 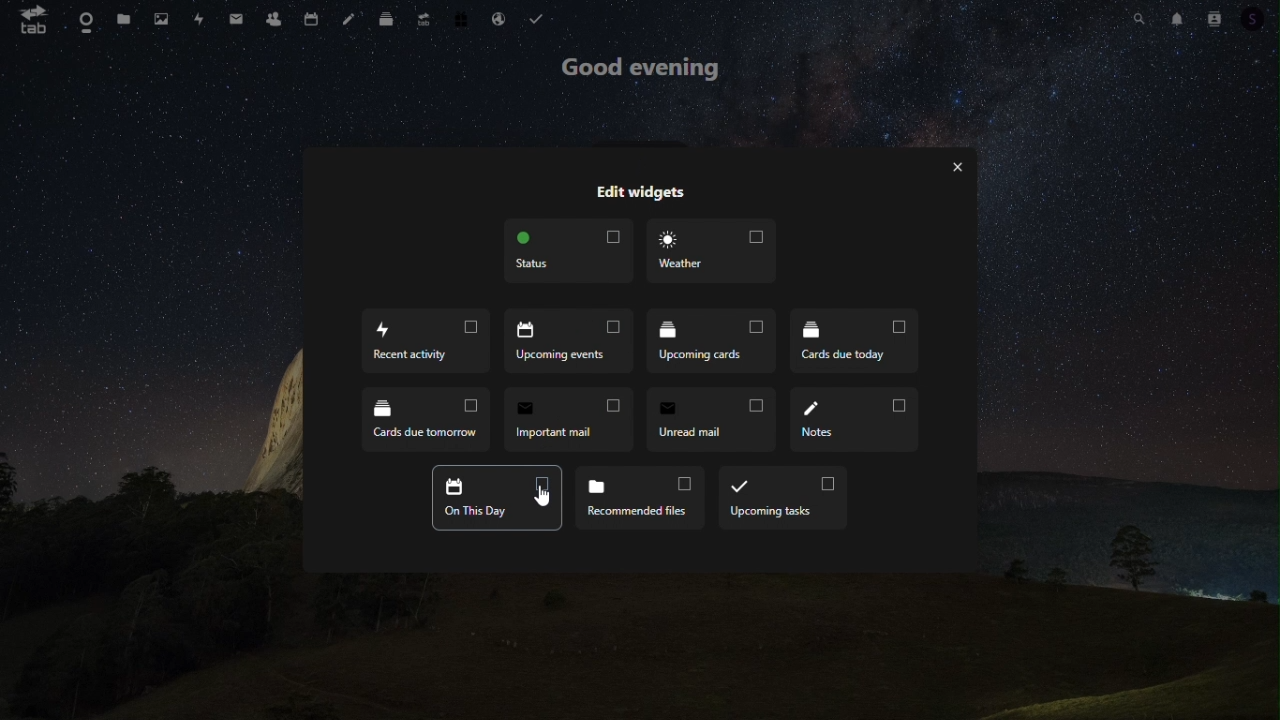 I want to click on Greetings, so click(x=644, y=70).